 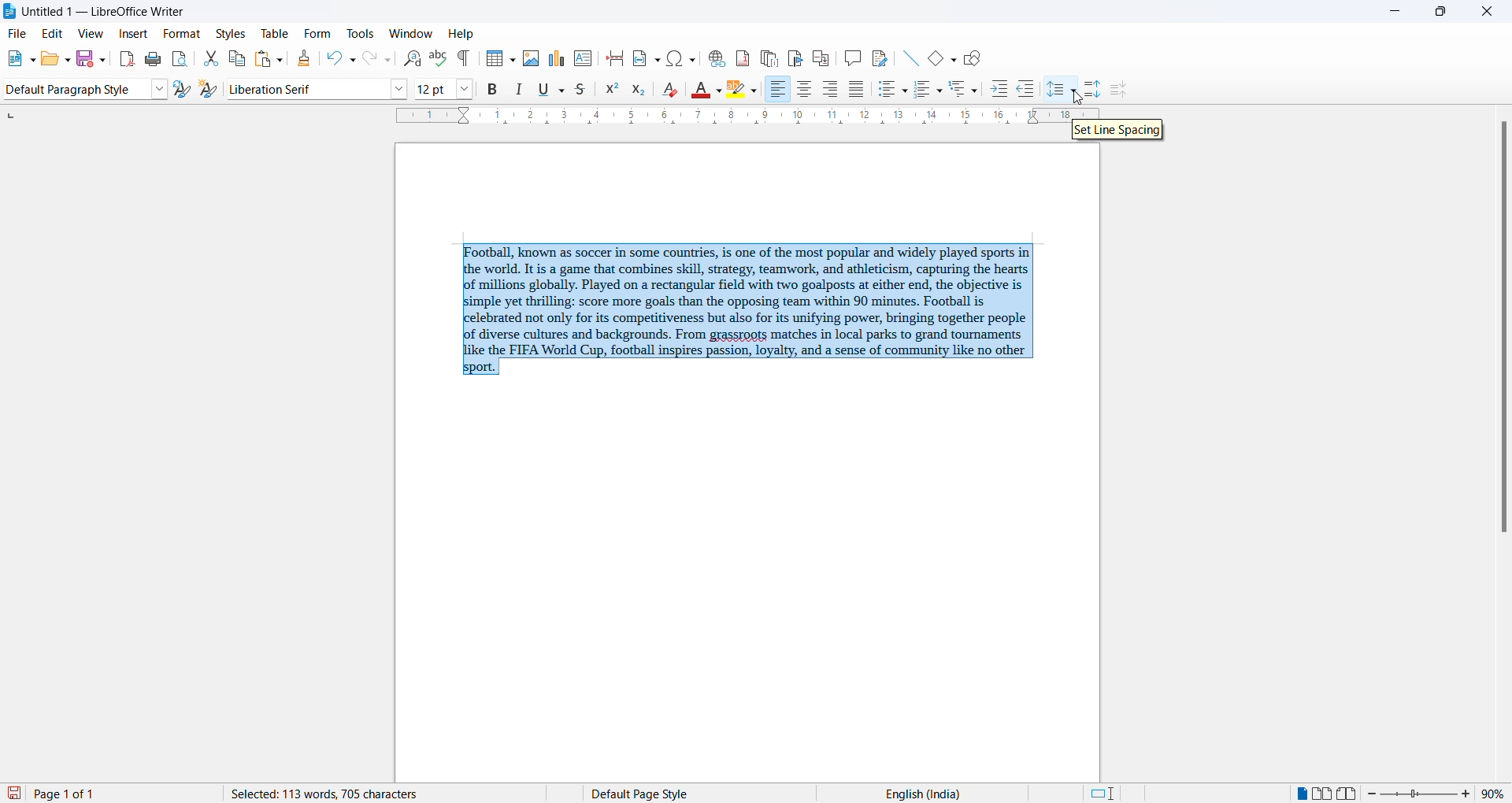 I want to click on font options, so click(x=399, y=88).